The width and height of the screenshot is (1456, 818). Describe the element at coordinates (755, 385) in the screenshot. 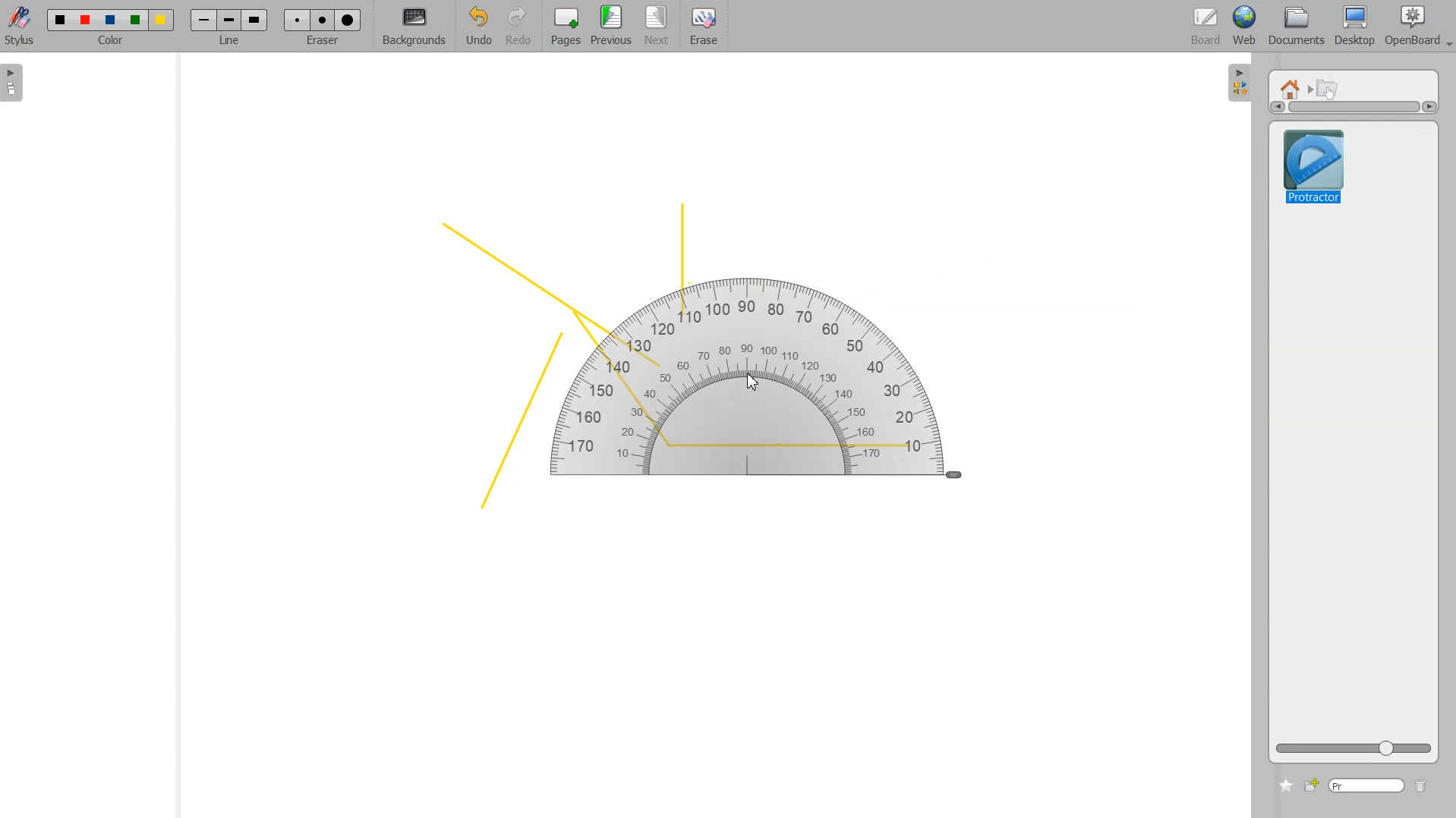

I see `Cursor` at that location.